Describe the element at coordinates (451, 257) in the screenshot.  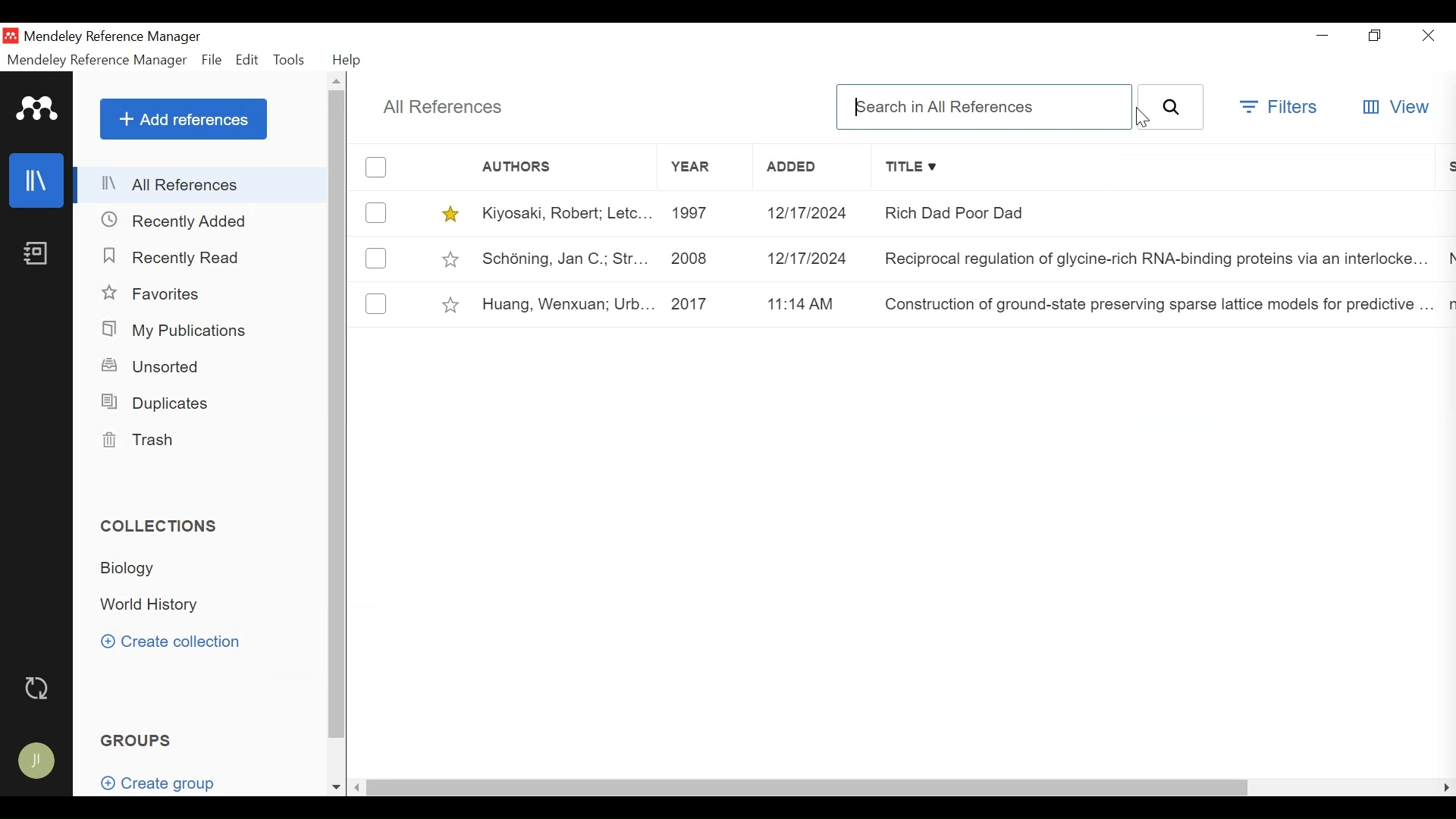
I see `Toggle Favorites` at that location.